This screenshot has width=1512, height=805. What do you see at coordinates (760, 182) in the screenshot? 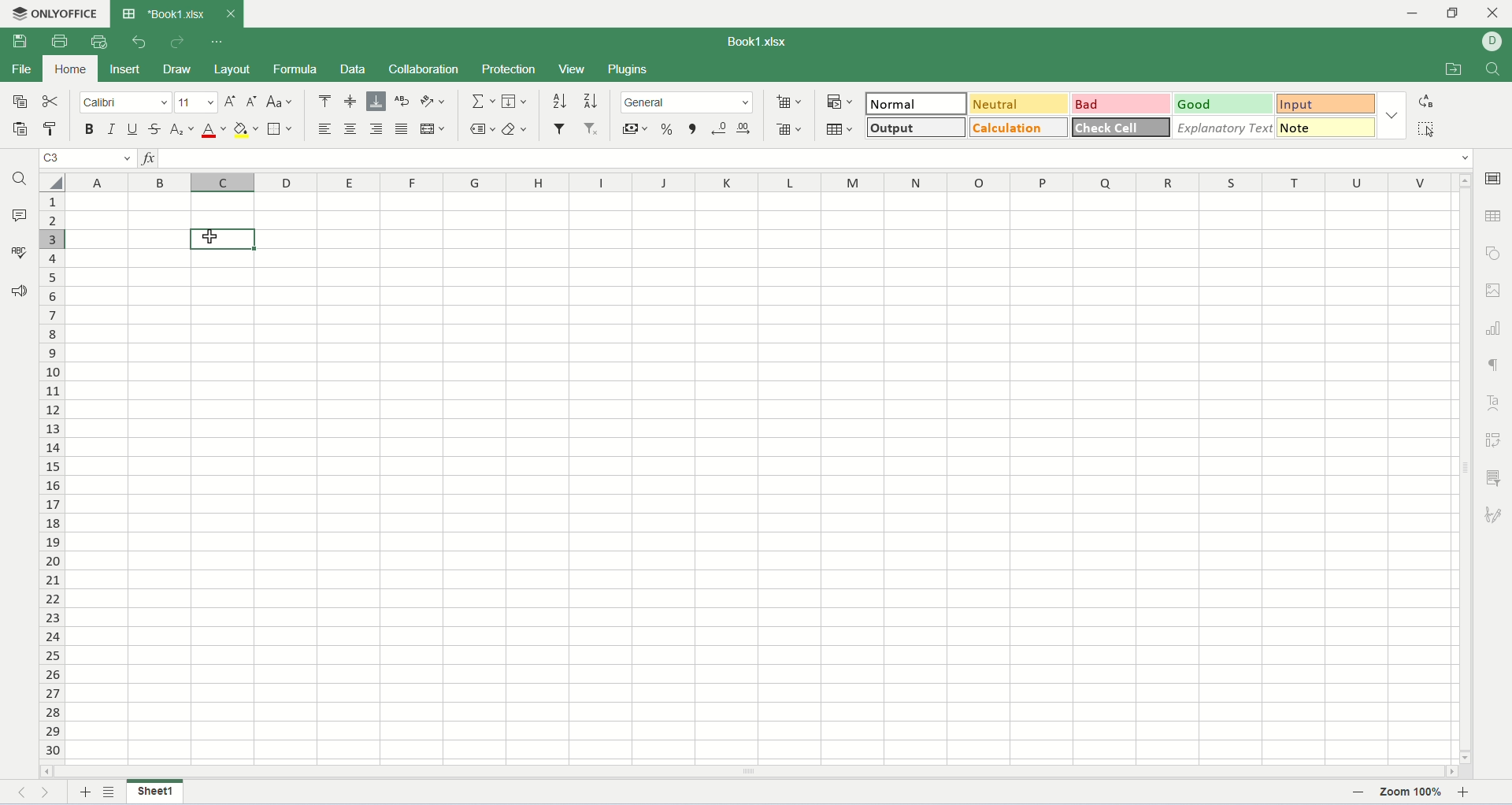
I see `column name` at bounding box center [760, 182].